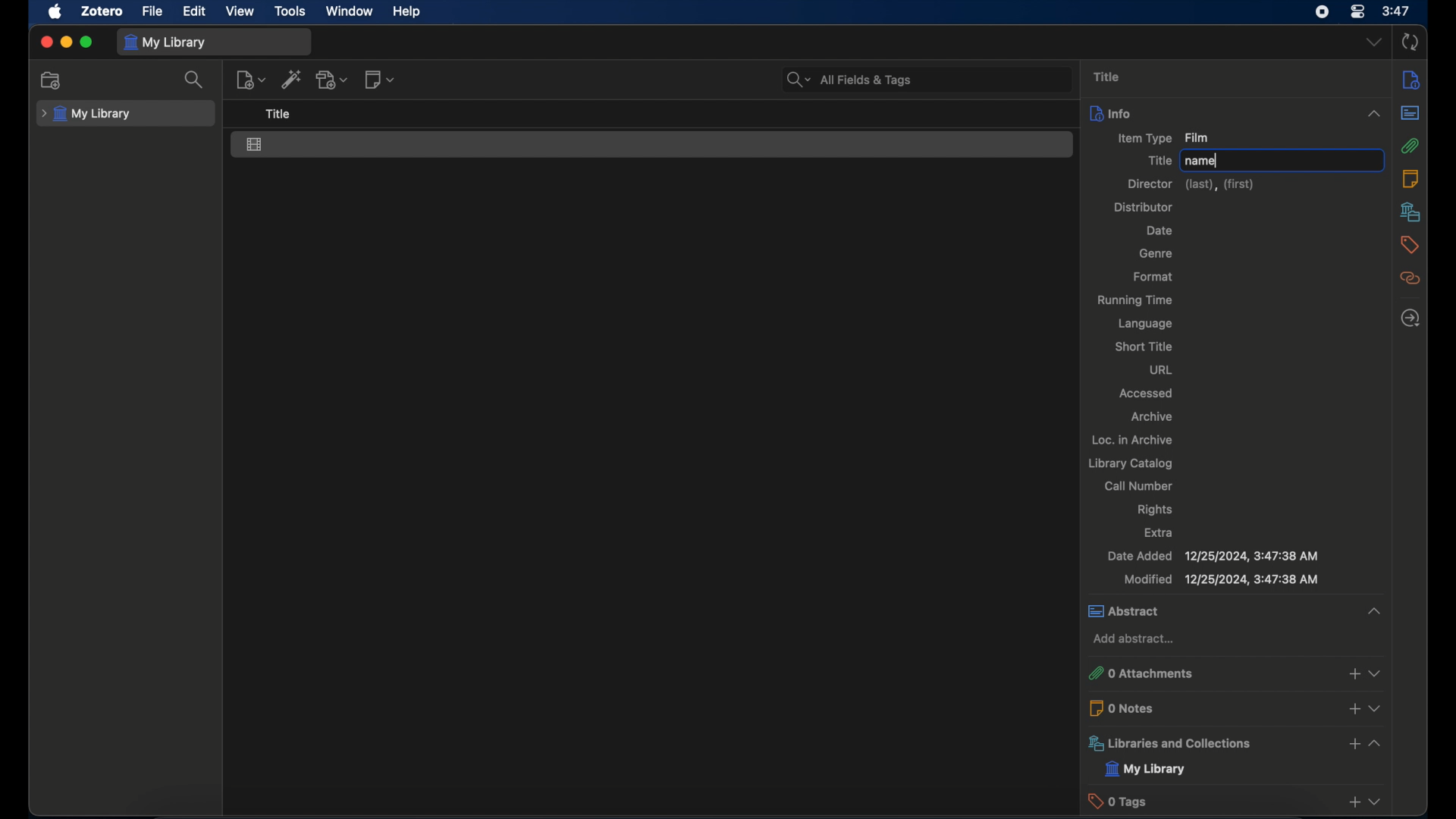 This screenshot has height=819, width=1456. I want to click on related, so click(1411, 278).